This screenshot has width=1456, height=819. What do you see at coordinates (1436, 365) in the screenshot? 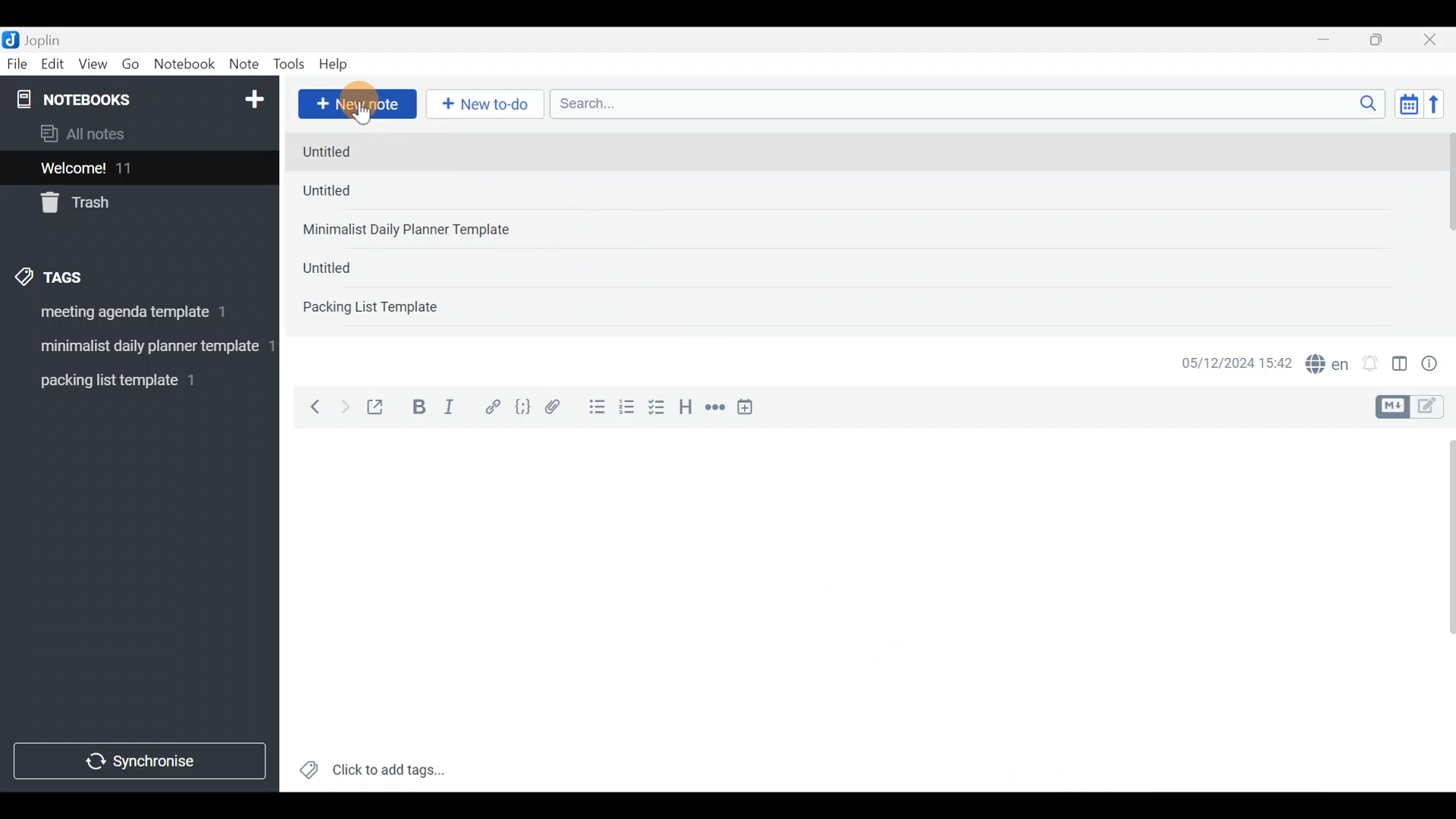
I see `Note properties` at bounding box center [1436, 365].